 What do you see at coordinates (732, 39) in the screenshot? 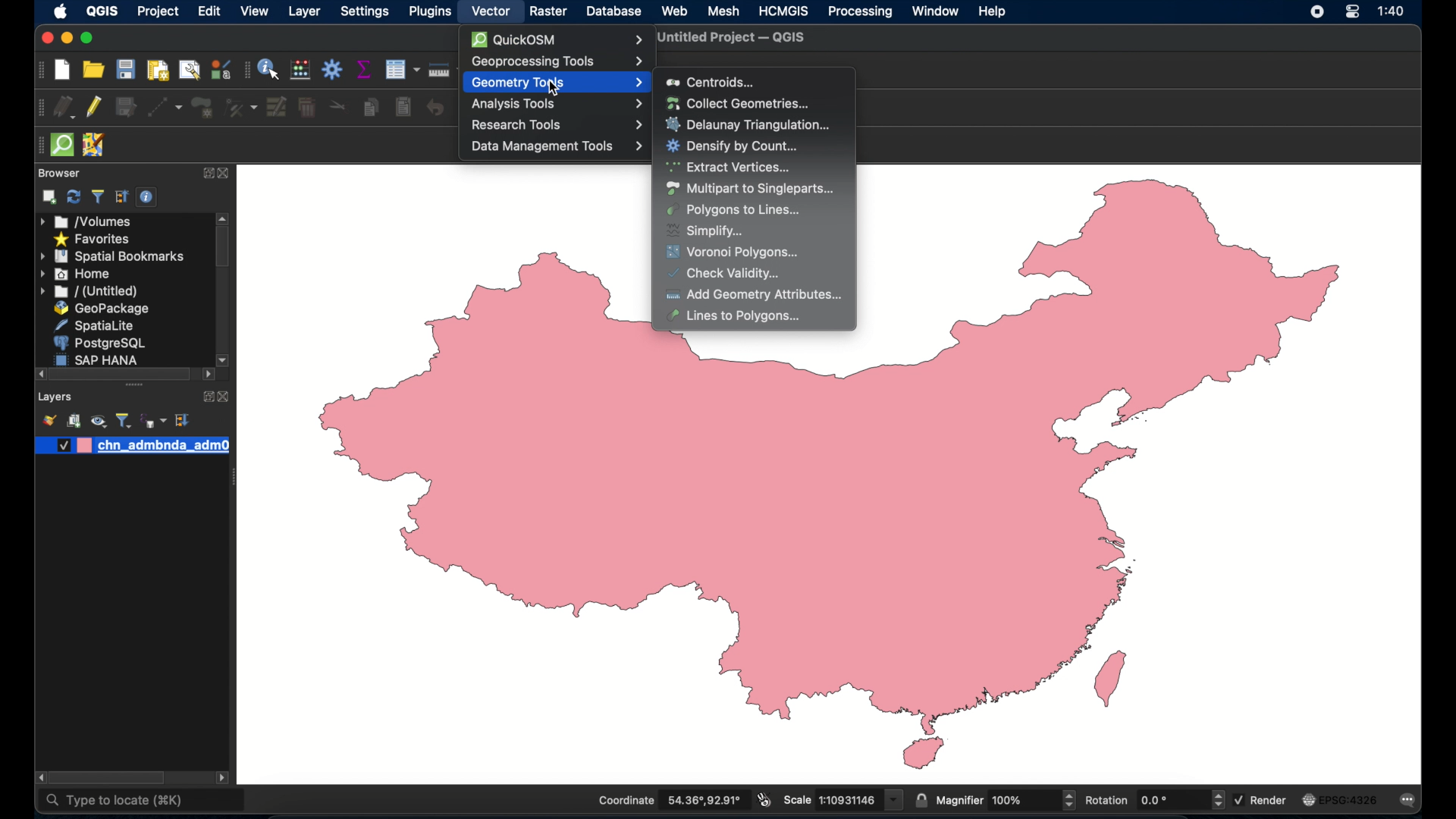
I see `untitled project - QGIS` at bounding box center [732, 39].